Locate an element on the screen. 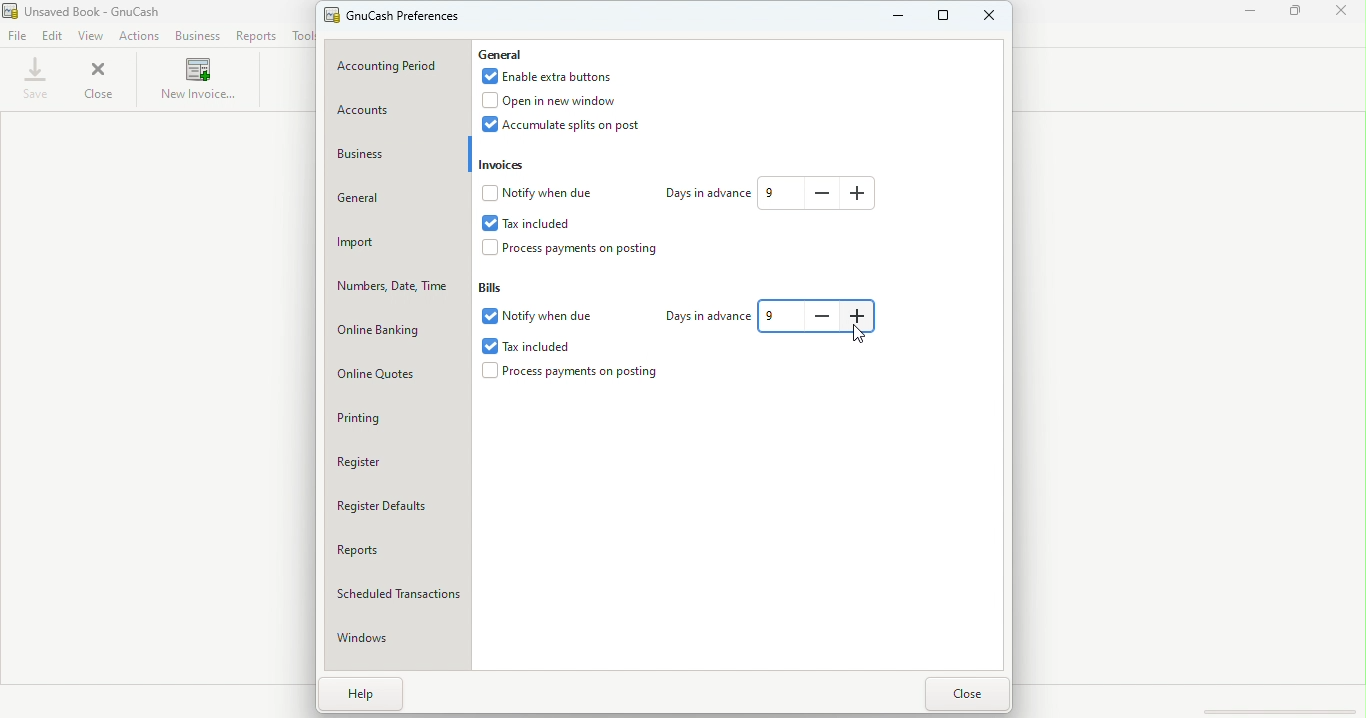  Maximize is located at coordinates (945, 19).